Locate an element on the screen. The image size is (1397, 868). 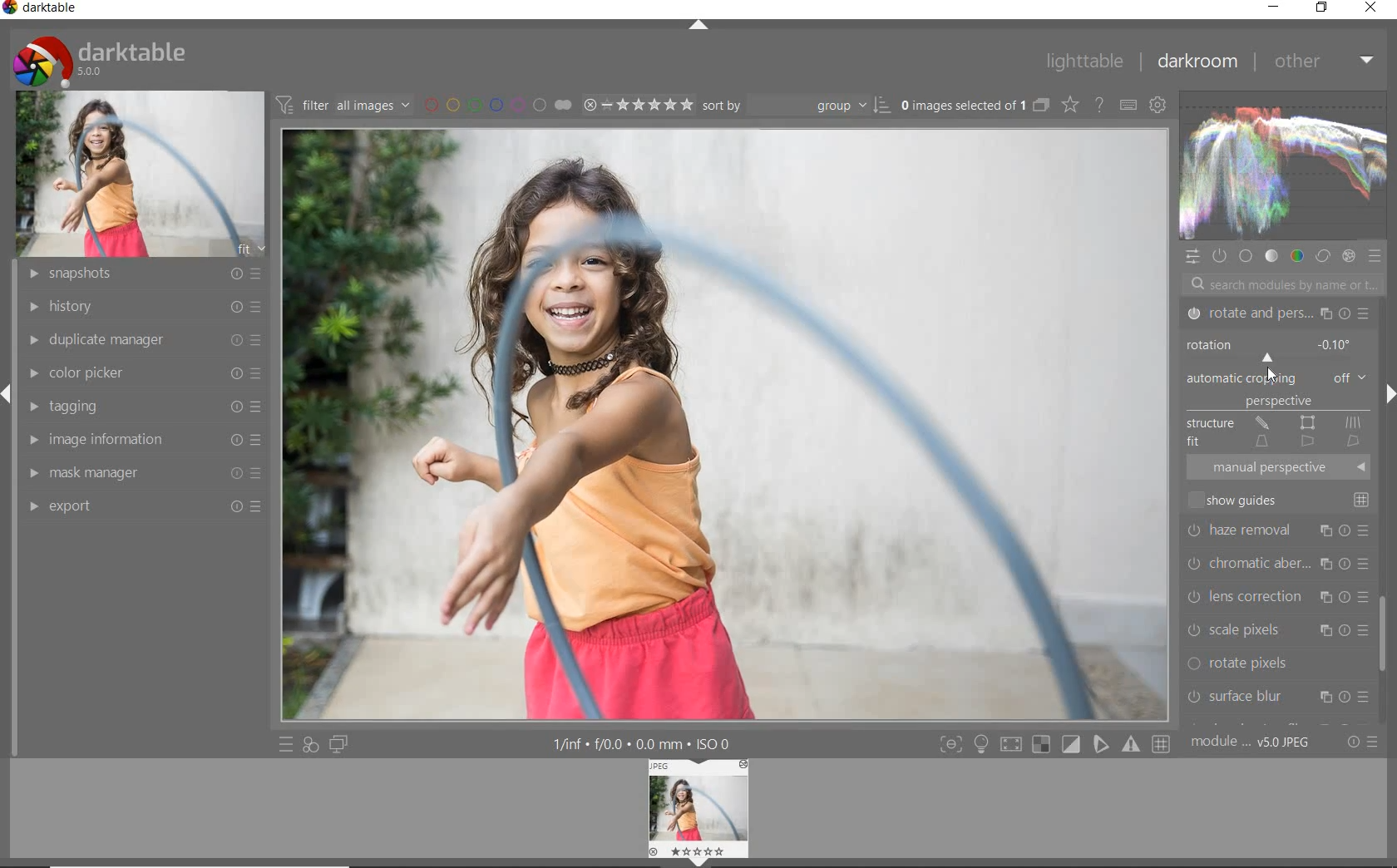
image preview is located at coordinates (701, 813).